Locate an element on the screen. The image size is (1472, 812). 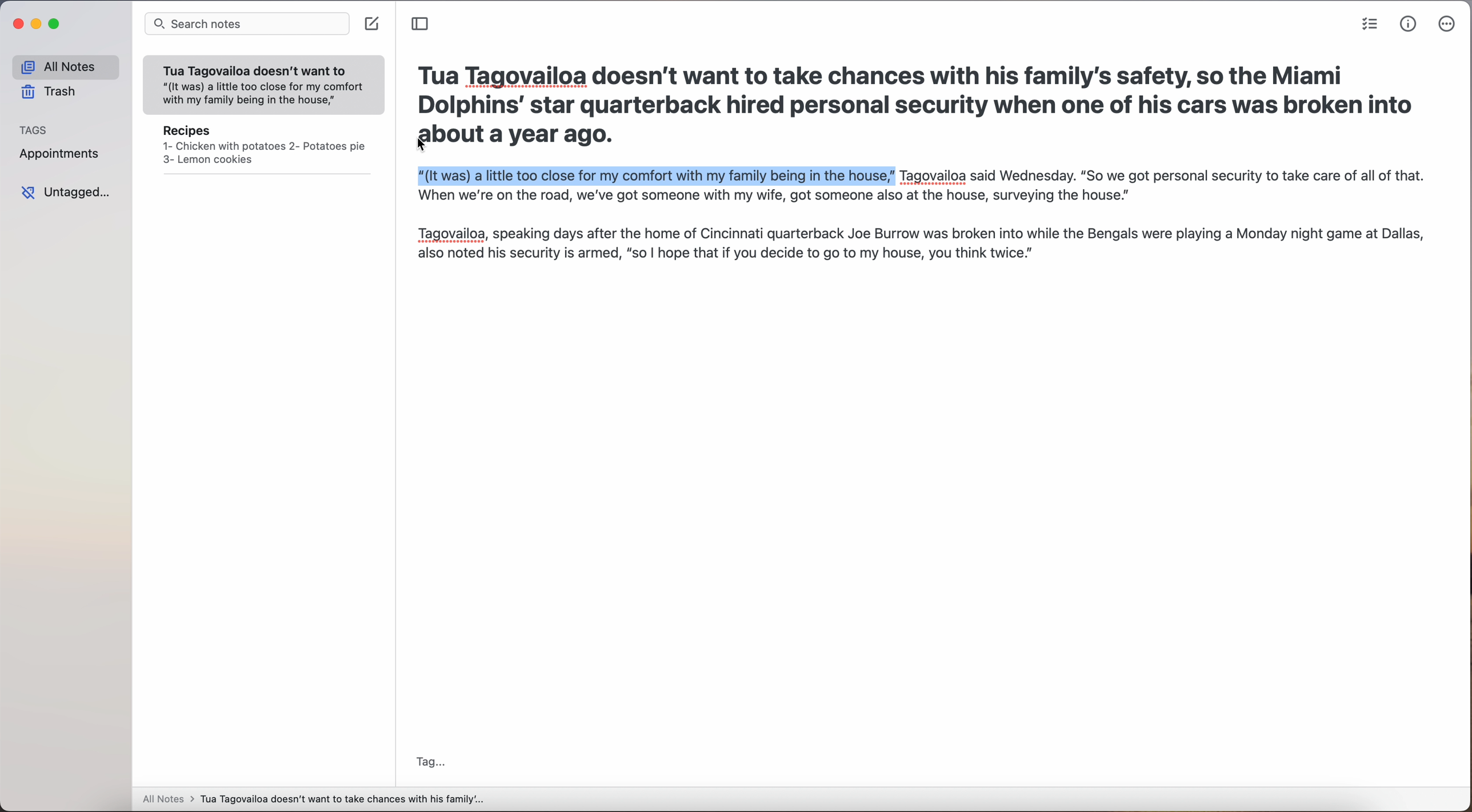
all notes is located at coordinates (65, 66).